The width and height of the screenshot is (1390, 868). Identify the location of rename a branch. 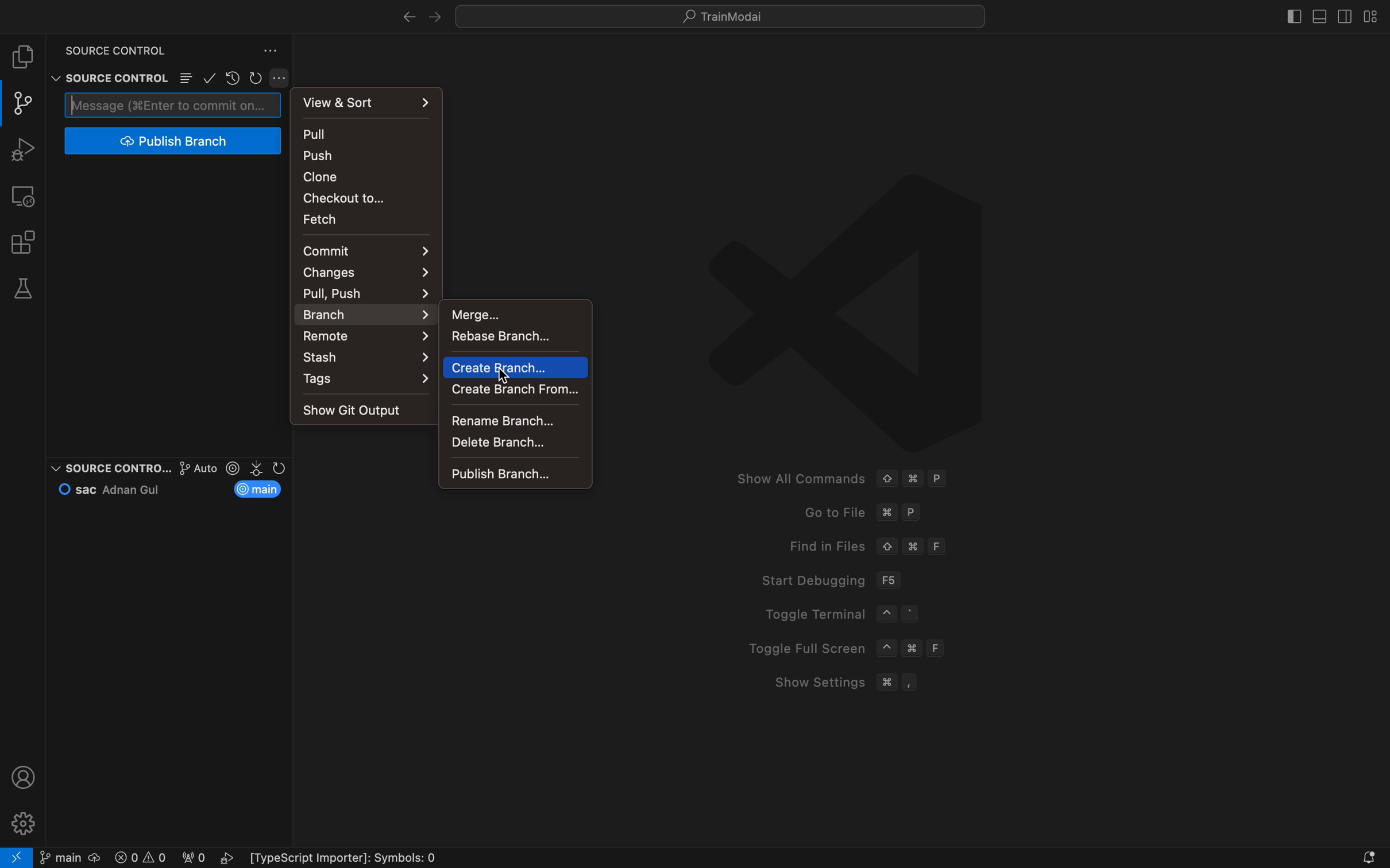
(512, 417).